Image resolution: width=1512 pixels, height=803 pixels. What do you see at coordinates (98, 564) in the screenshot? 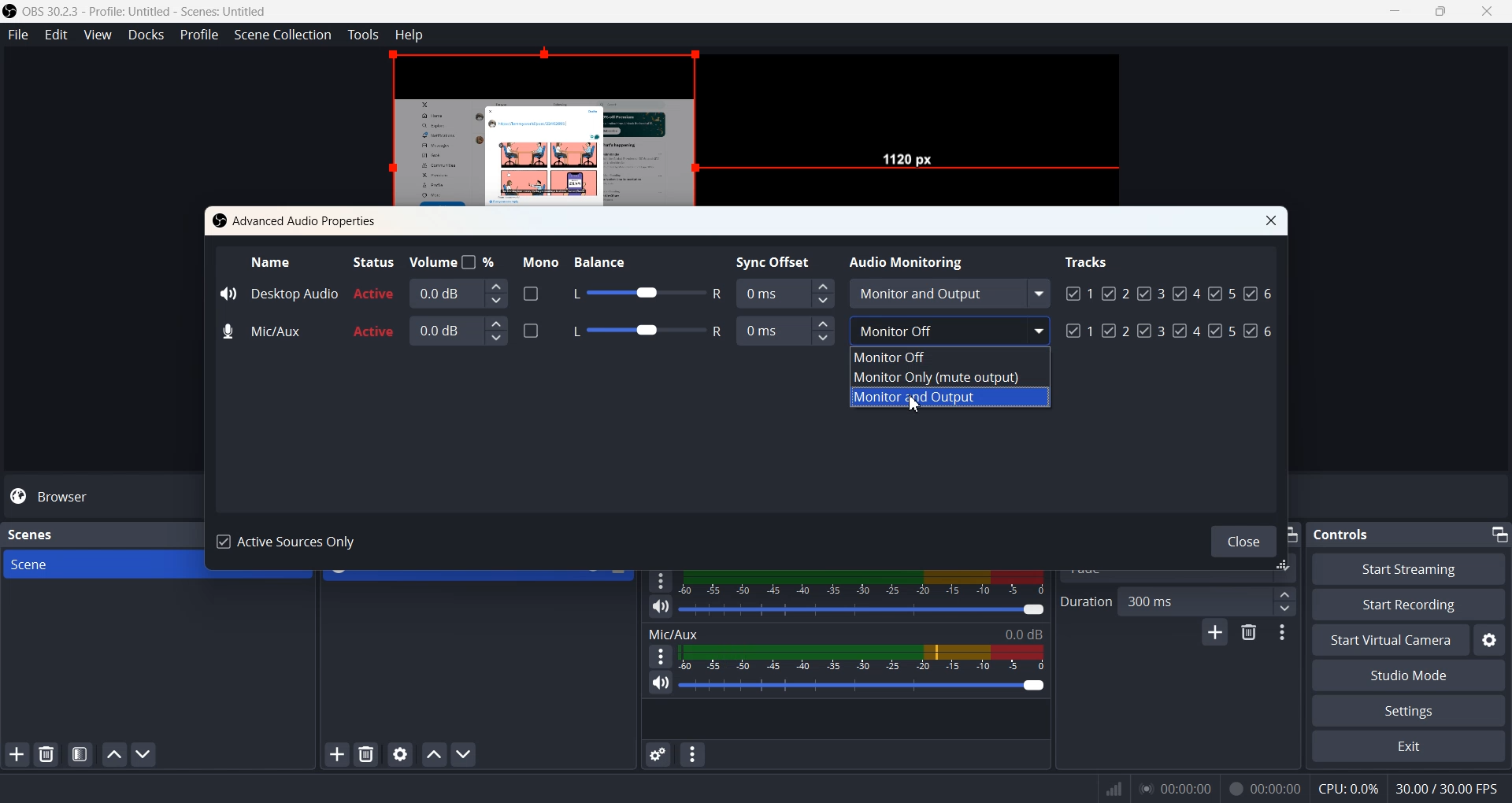
I see `Scene` at bounding box center [98, 564].